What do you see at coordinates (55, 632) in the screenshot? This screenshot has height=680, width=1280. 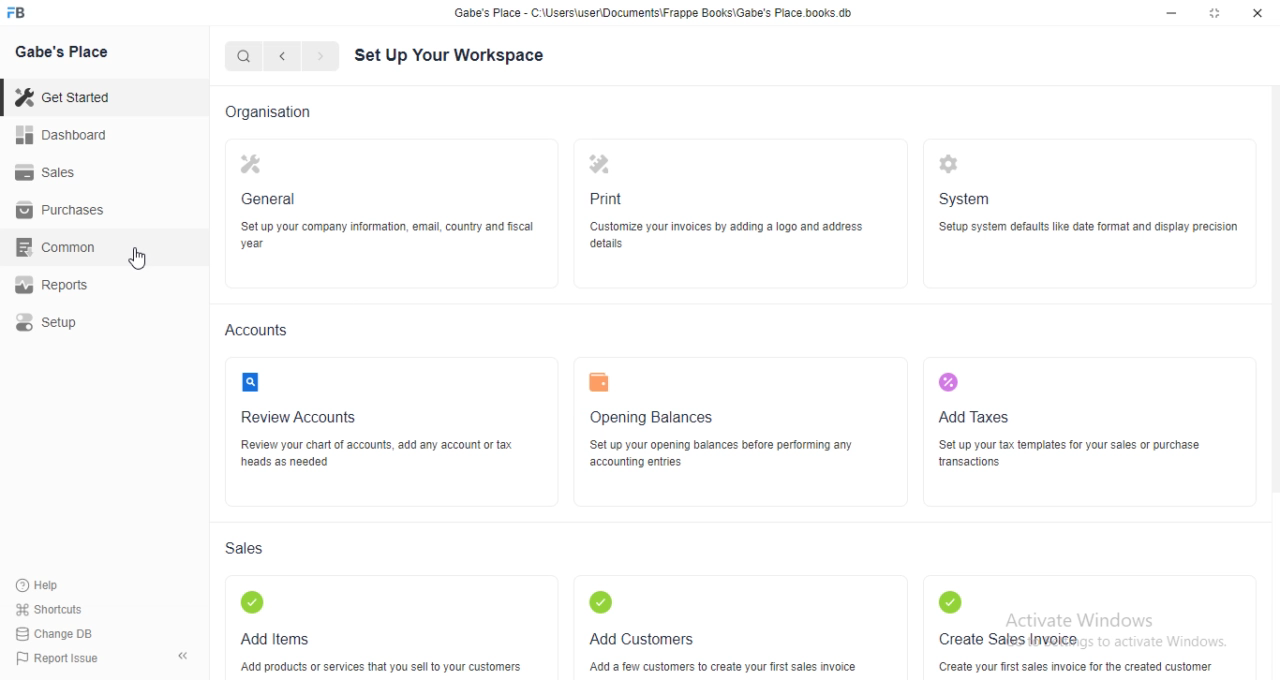 I see `| Change DB` at bounding box center [55, 632].